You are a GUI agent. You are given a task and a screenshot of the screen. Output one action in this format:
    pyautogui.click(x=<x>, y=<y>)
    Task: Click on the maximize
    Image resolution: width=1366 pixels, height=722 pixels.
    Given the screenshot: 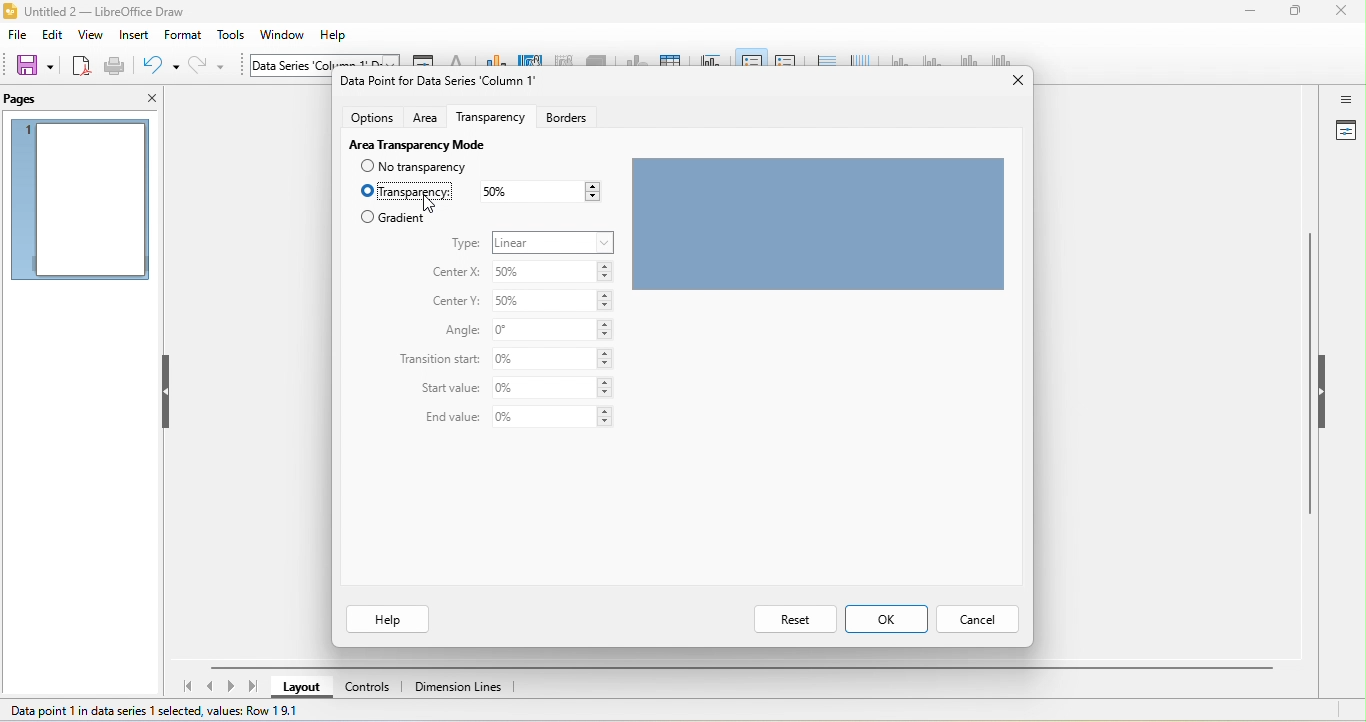 What is the action you would take?
    pyautogui.click(x=1295, y=12)
    